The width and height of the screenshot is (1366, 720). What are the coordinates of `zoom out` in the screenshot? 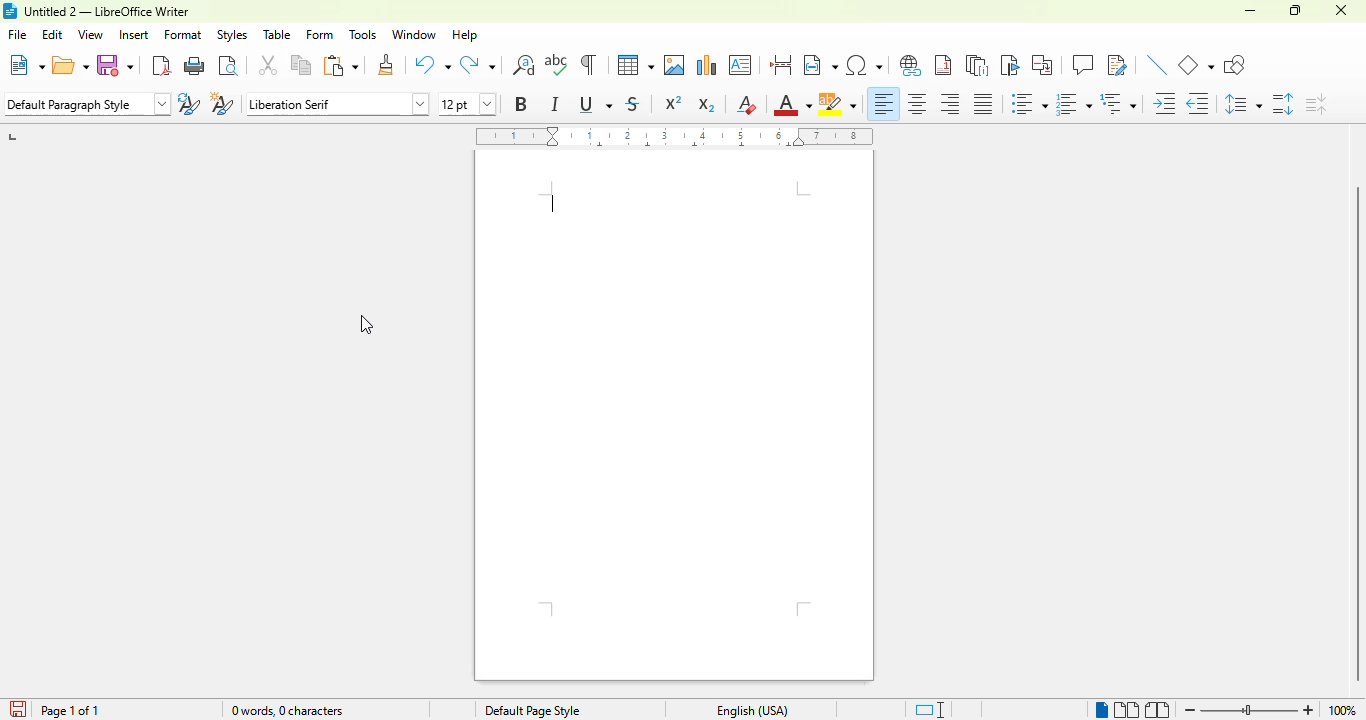 It's located at (1191, 710).